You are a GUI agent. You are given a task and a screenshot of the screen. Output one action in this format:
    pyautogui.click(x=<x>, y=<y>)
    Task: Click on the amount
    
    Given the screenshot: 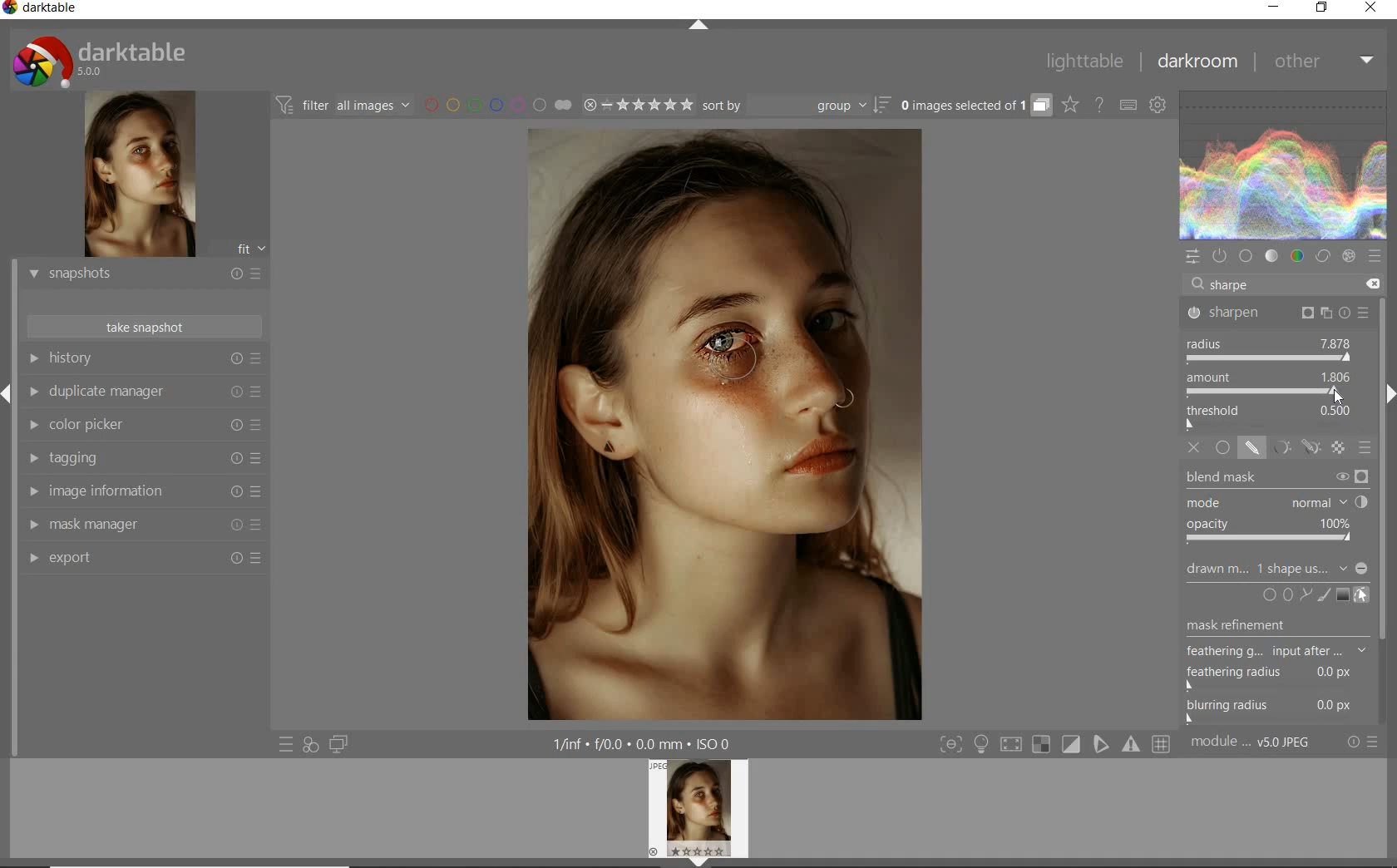 What is the action you would take?
    pyautogui.click(x=1268, y=385)
    